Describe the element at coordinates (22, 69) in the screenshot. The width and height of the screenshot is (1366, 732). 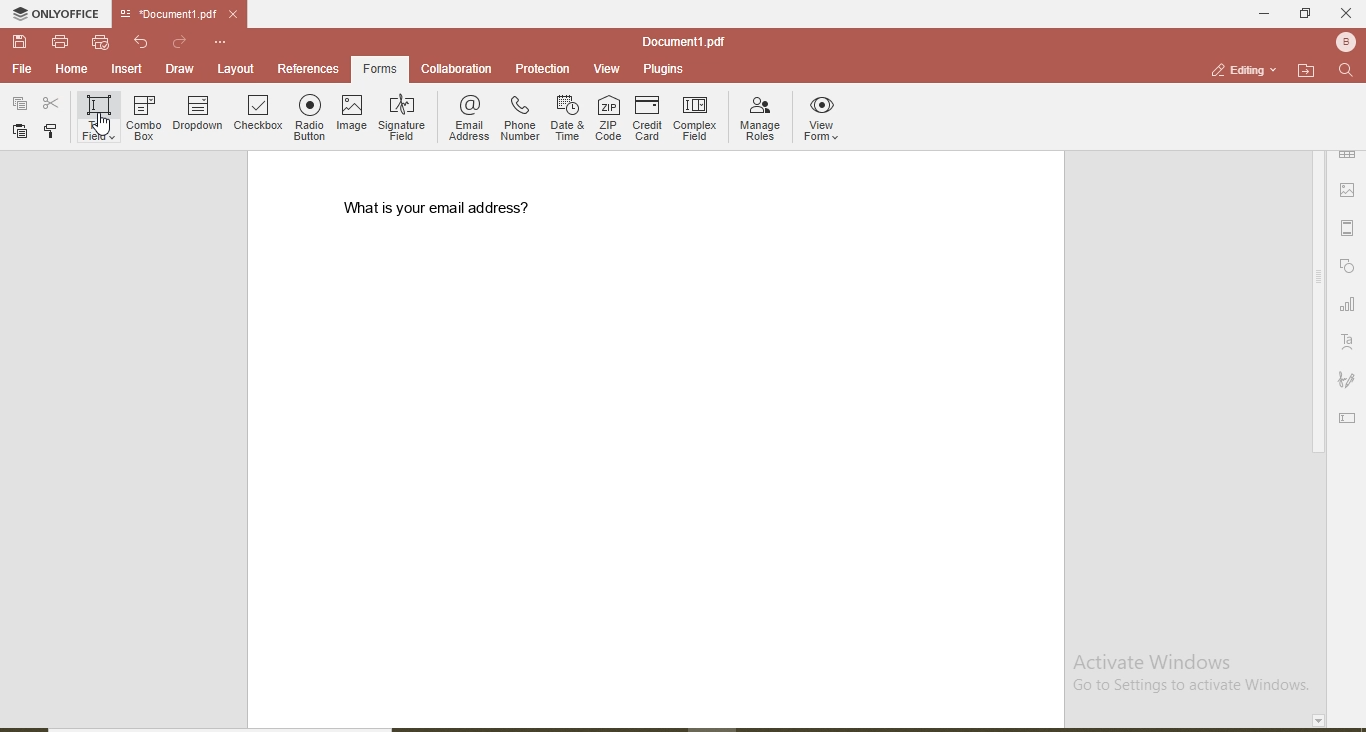
I see `file` at that location.